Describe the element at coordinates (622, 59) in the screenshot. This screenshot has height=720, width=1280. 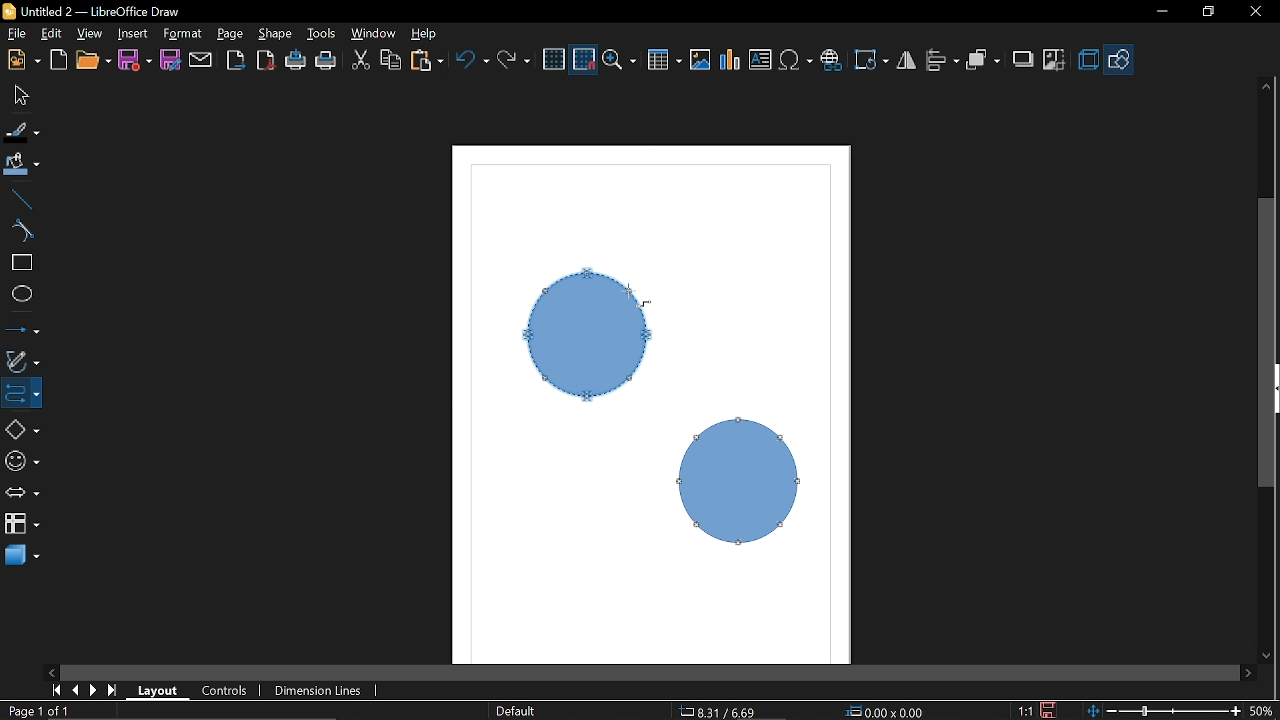
I see `Zoom` at that location.